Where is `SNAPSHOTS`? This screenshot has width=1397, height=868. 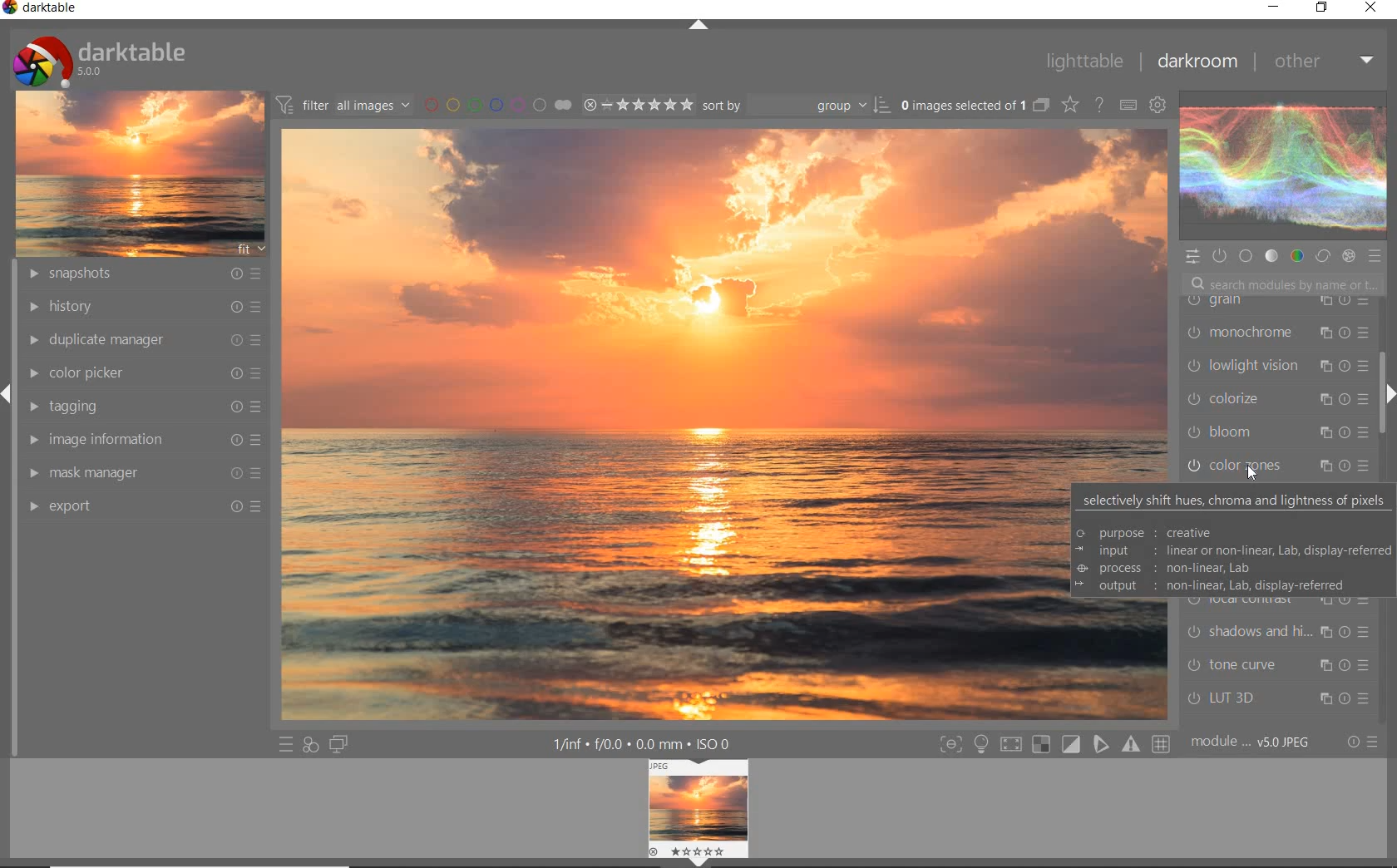
SNAPSHOTS is located at coordinates (143, 274).